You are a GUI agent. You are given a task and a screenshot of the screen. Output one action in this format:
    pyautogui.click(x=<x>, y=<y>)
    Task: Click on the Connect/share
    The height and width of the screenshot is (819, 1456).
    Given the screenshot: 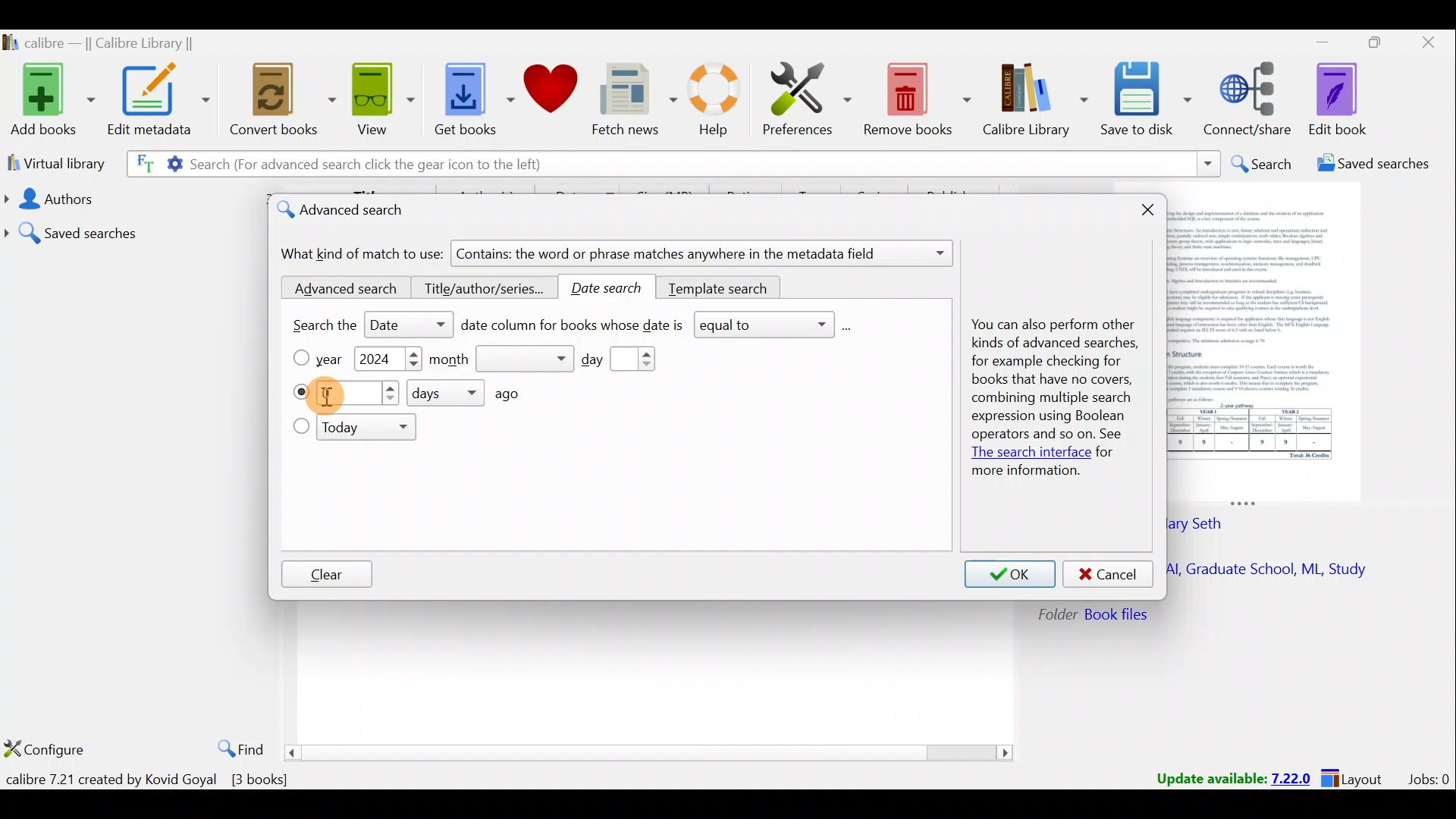 What is the action you would take?
    pyautogui.click(x=1251, y=100)
    